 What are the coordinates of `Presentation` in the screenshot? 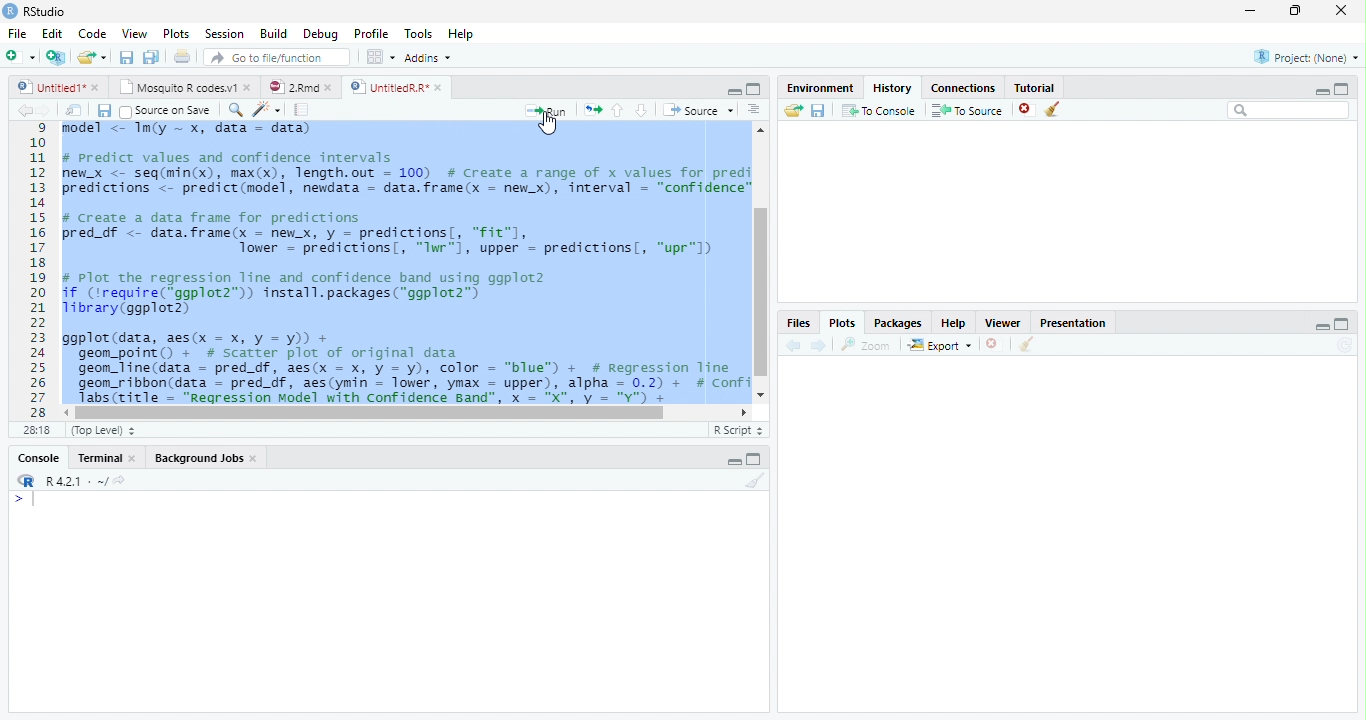 It's located at (1072, 323).